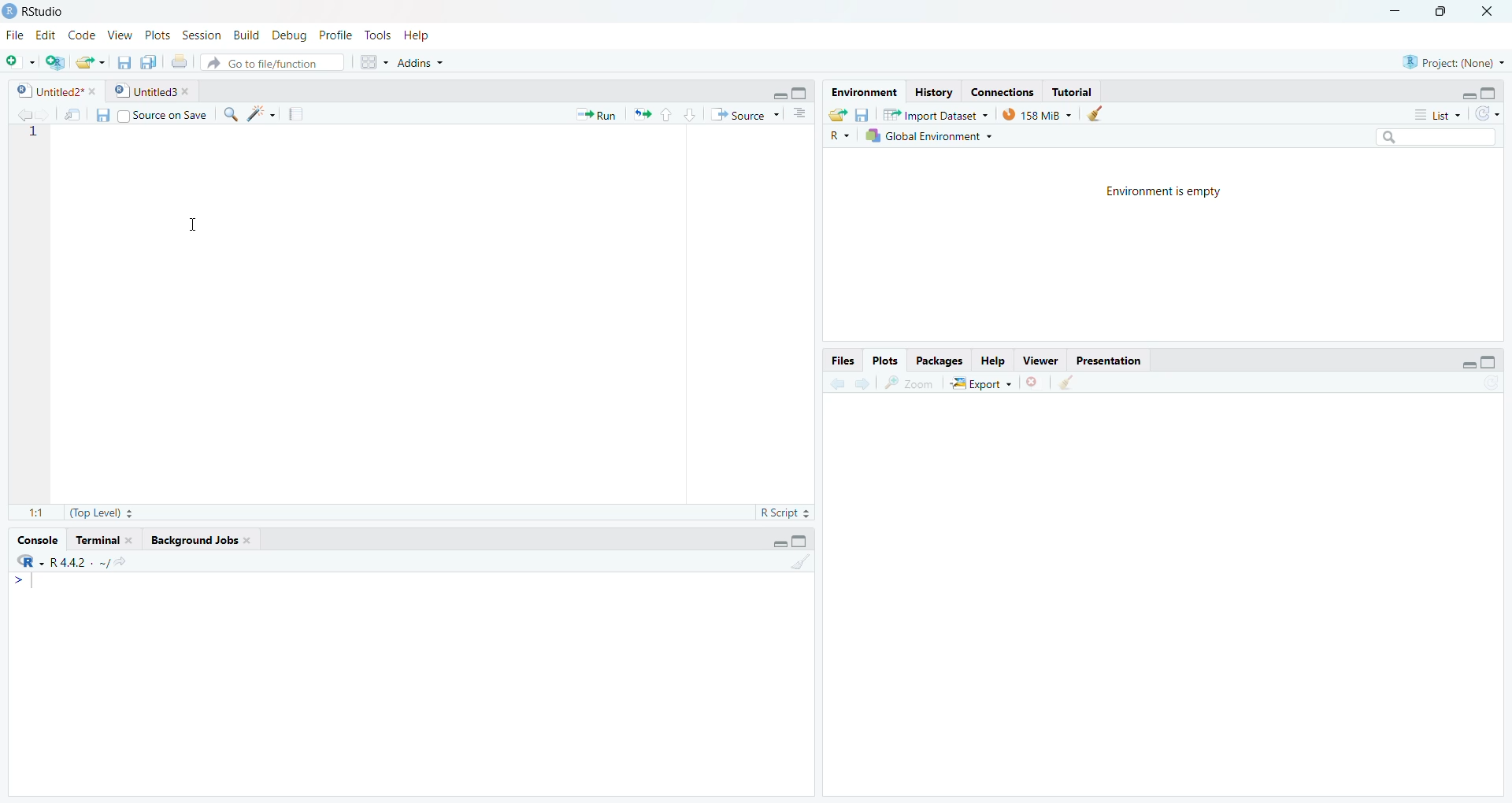 The height and width of the screenshot is (803, 1512). Describe the element at coordinates (87, 61) in the screenshot. I see `open file` at that location.